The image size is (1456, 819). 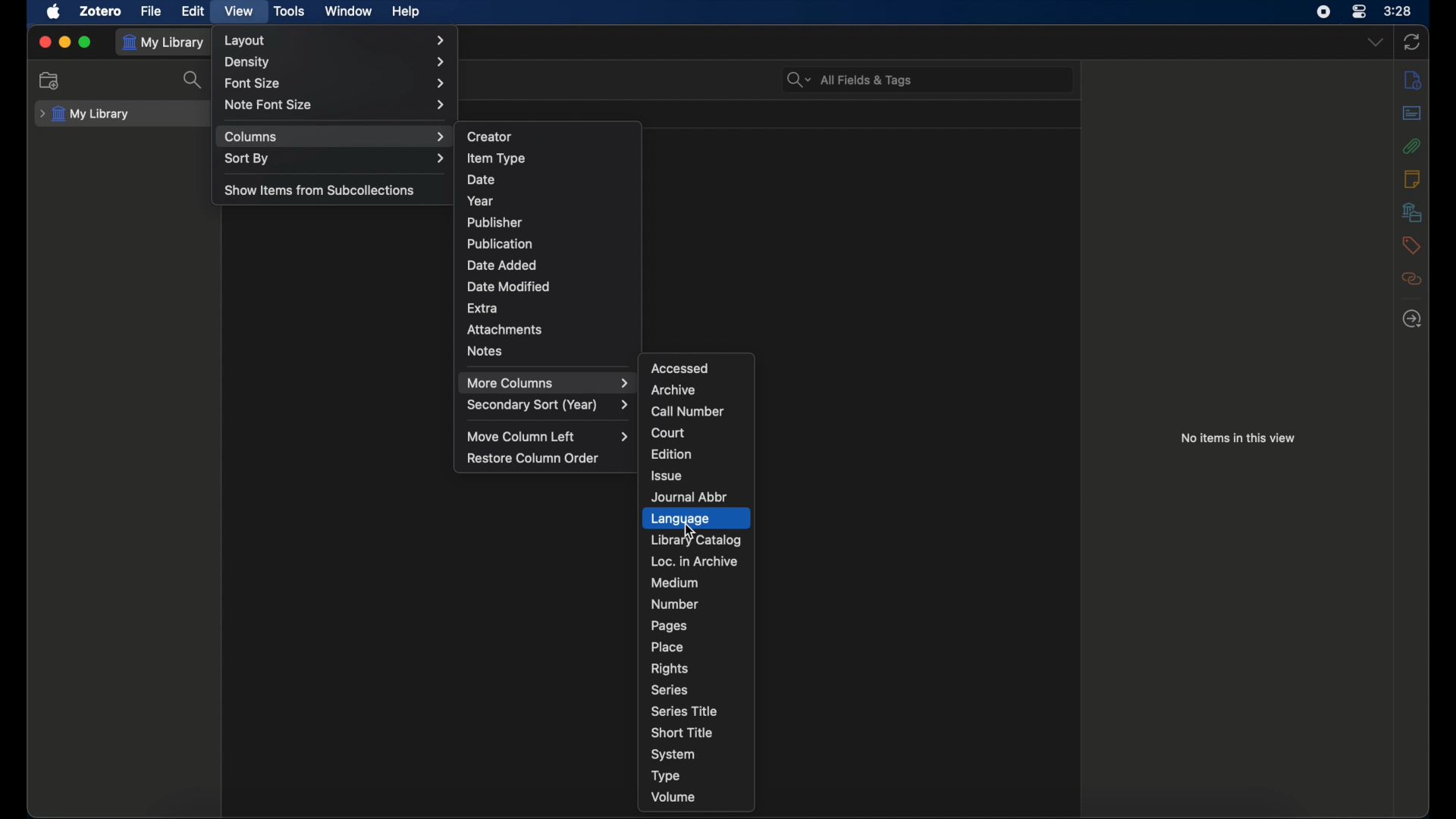 What do you see at coordinates (1411, 112) in the screenshot?
I see `abstract` at bounding box center [1411, 112].